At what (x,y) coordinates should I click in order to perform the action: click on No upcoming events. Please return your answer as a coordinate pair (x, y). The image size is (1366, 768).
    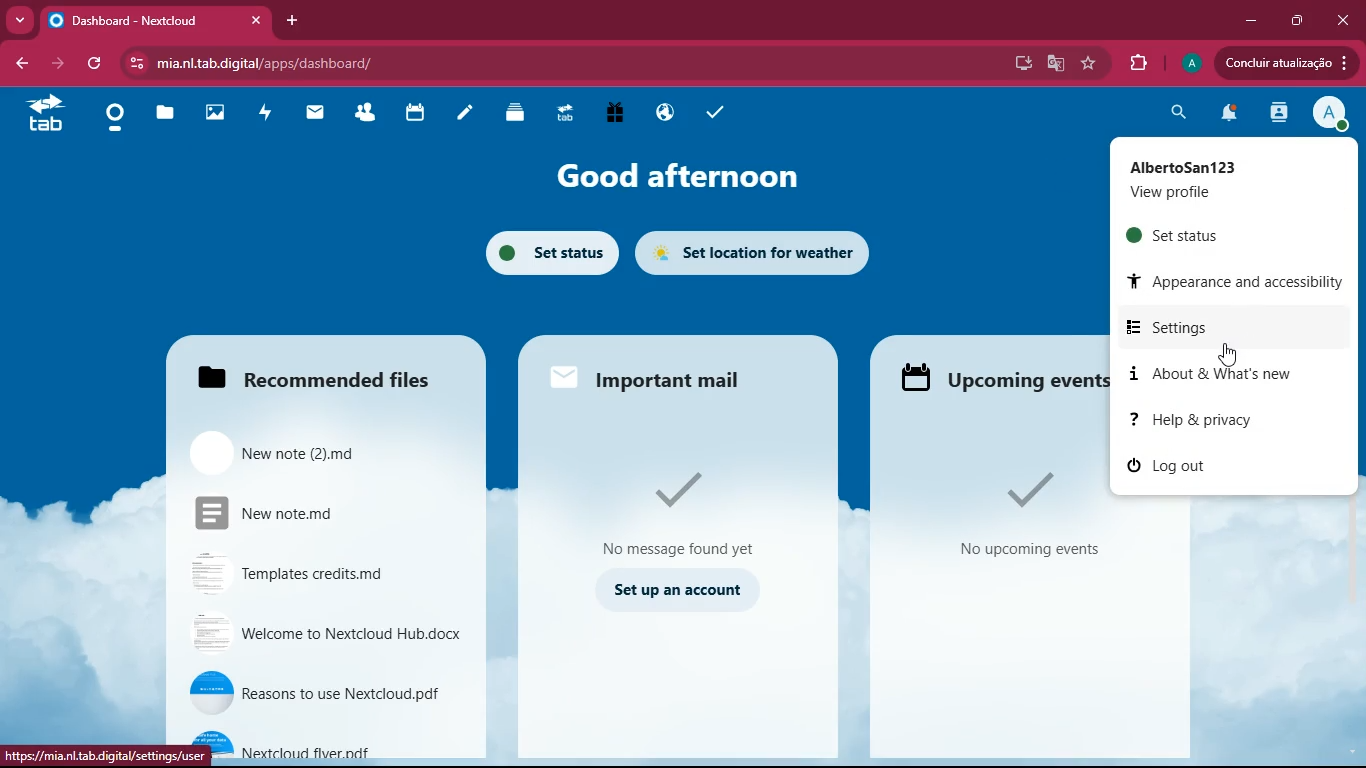
    Looking at the image, I should click on (1010, 505).